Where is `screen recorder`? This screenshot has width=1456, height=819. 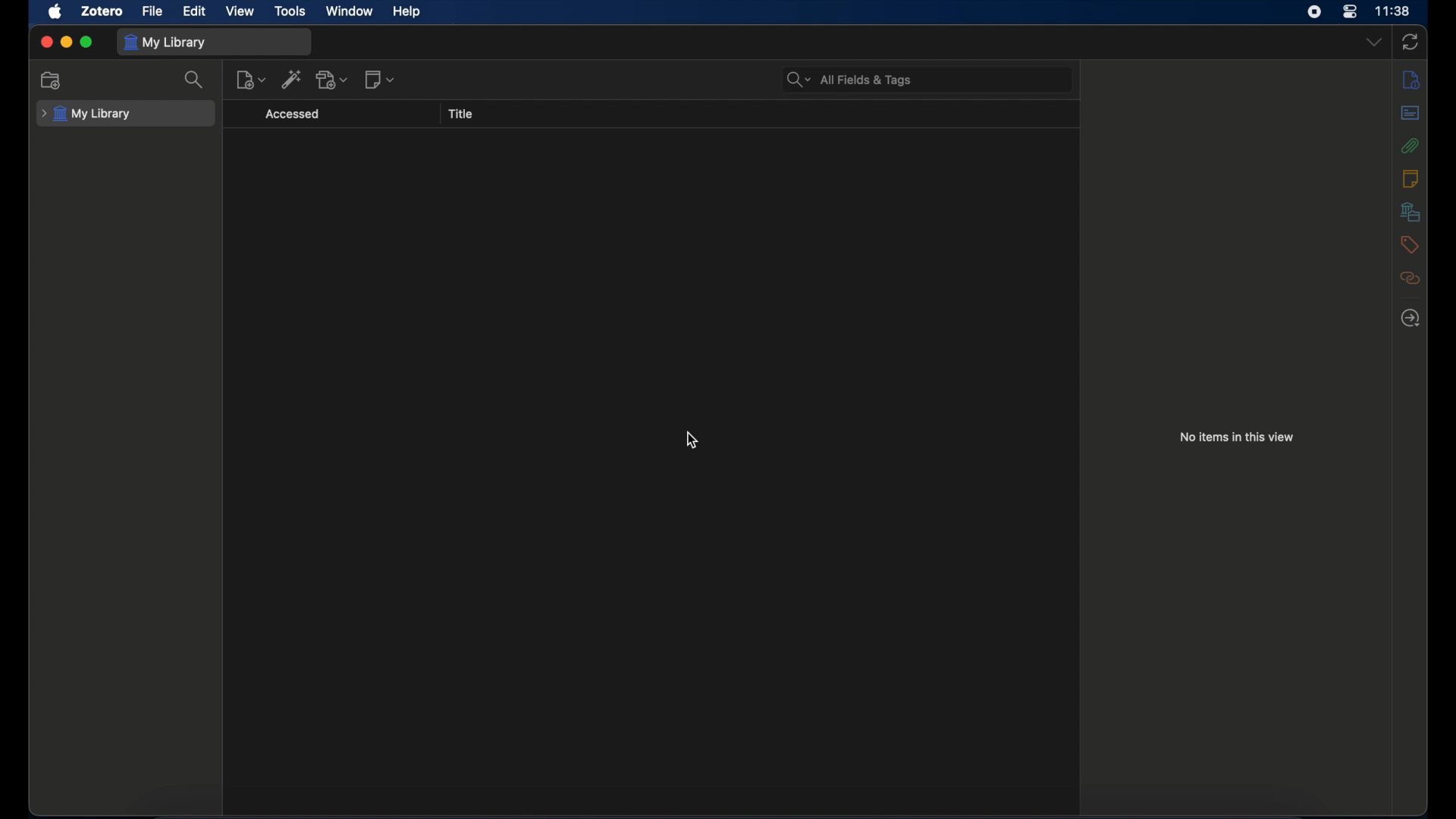 screen recorder is located at coordinates (1314, 12).